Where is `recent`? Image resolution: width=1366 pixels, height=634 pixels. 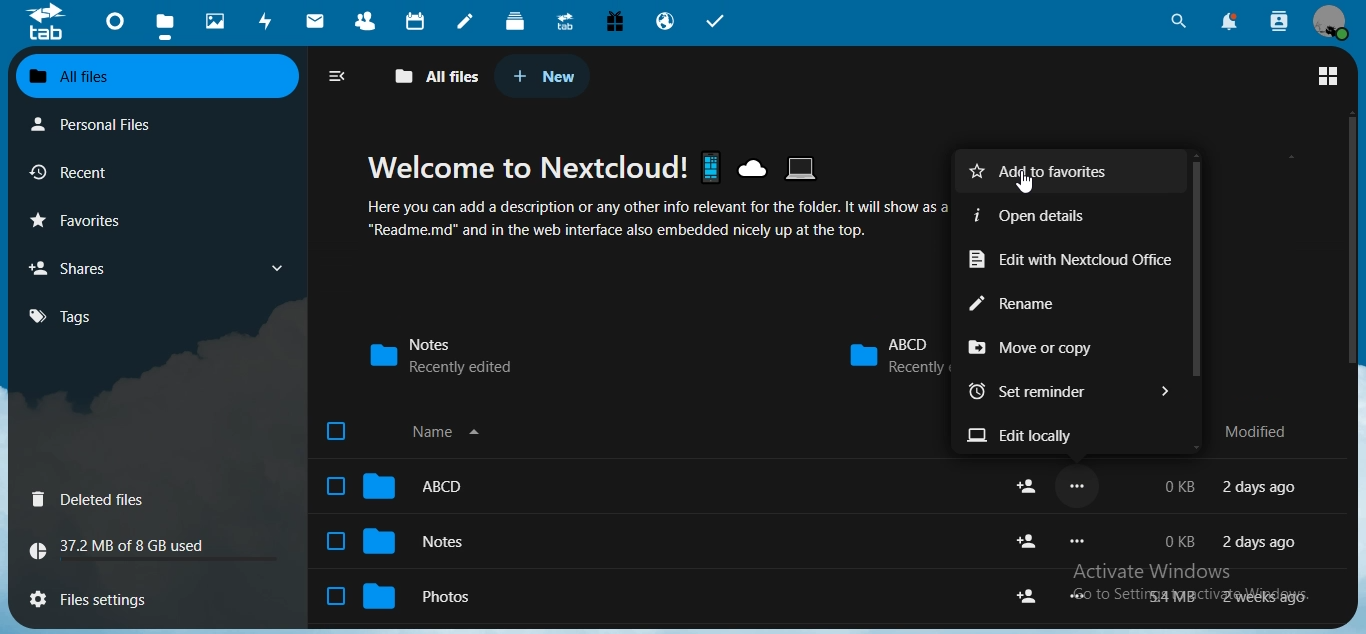
recent is located at coordinates (71, 171).